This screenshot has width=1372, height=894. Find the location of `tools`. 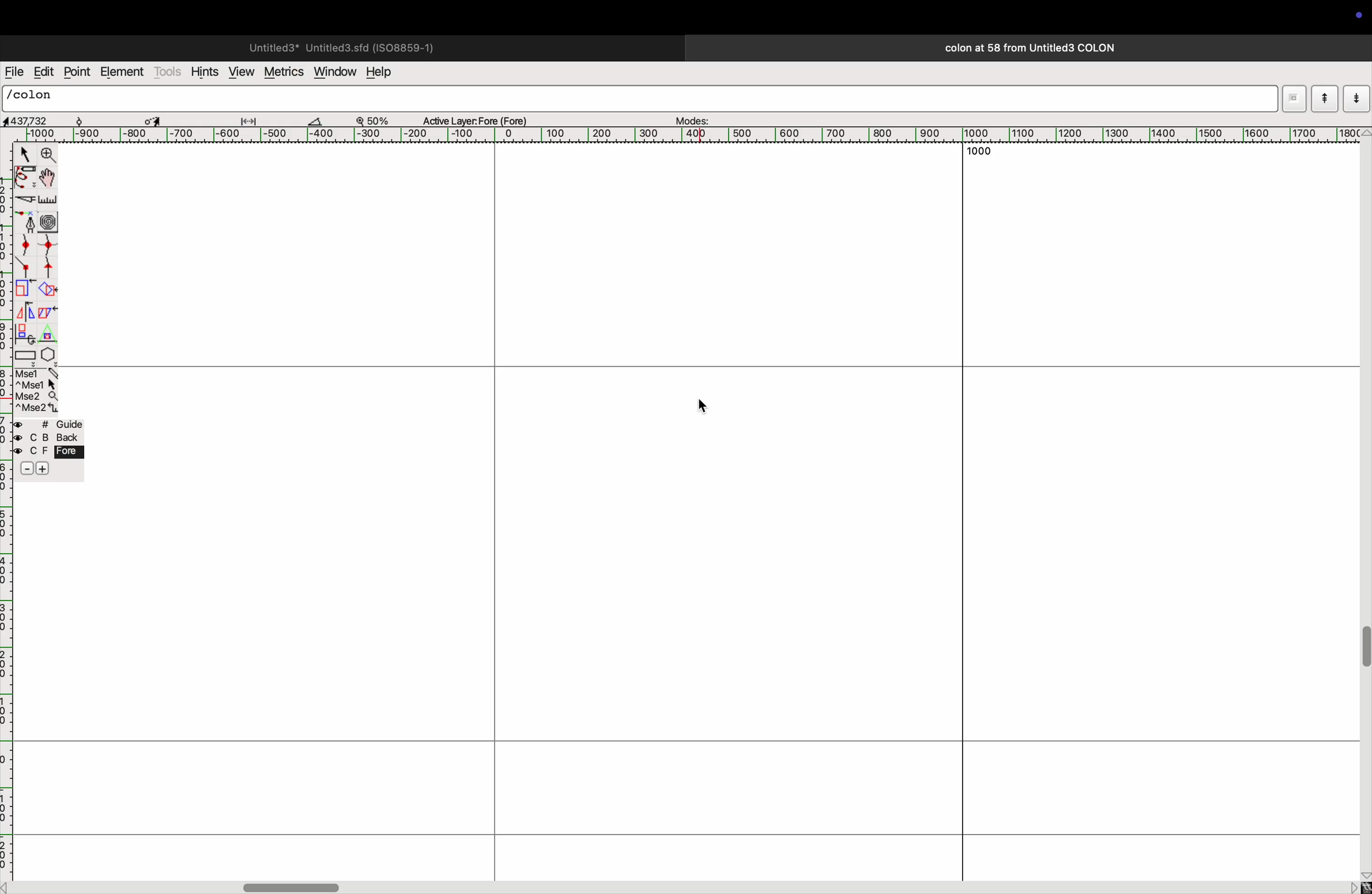

tools is located at coordinates (168, 72).